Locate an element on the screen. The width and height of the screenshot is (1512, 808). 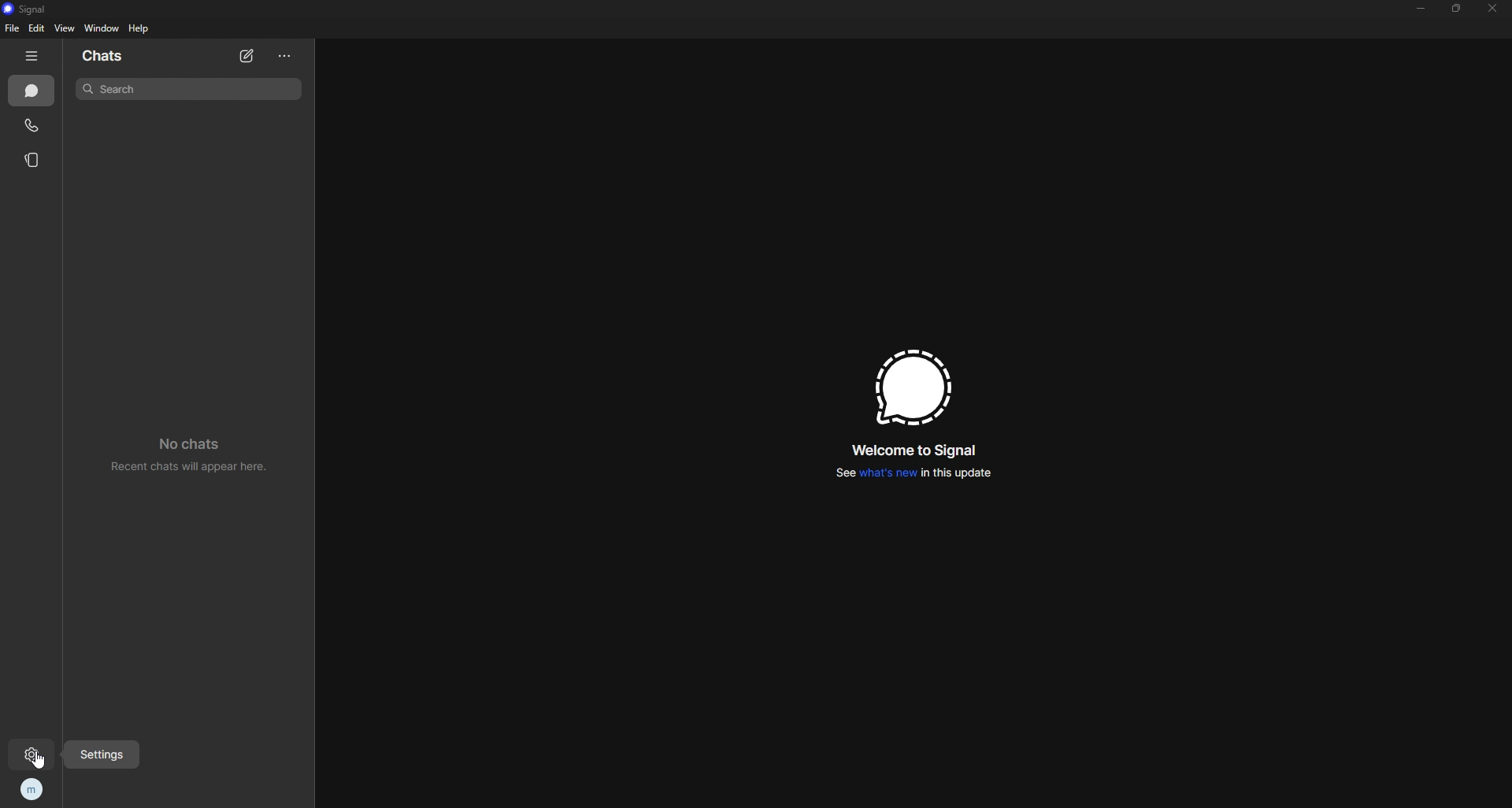
signal is located at coordinates (31, 9).